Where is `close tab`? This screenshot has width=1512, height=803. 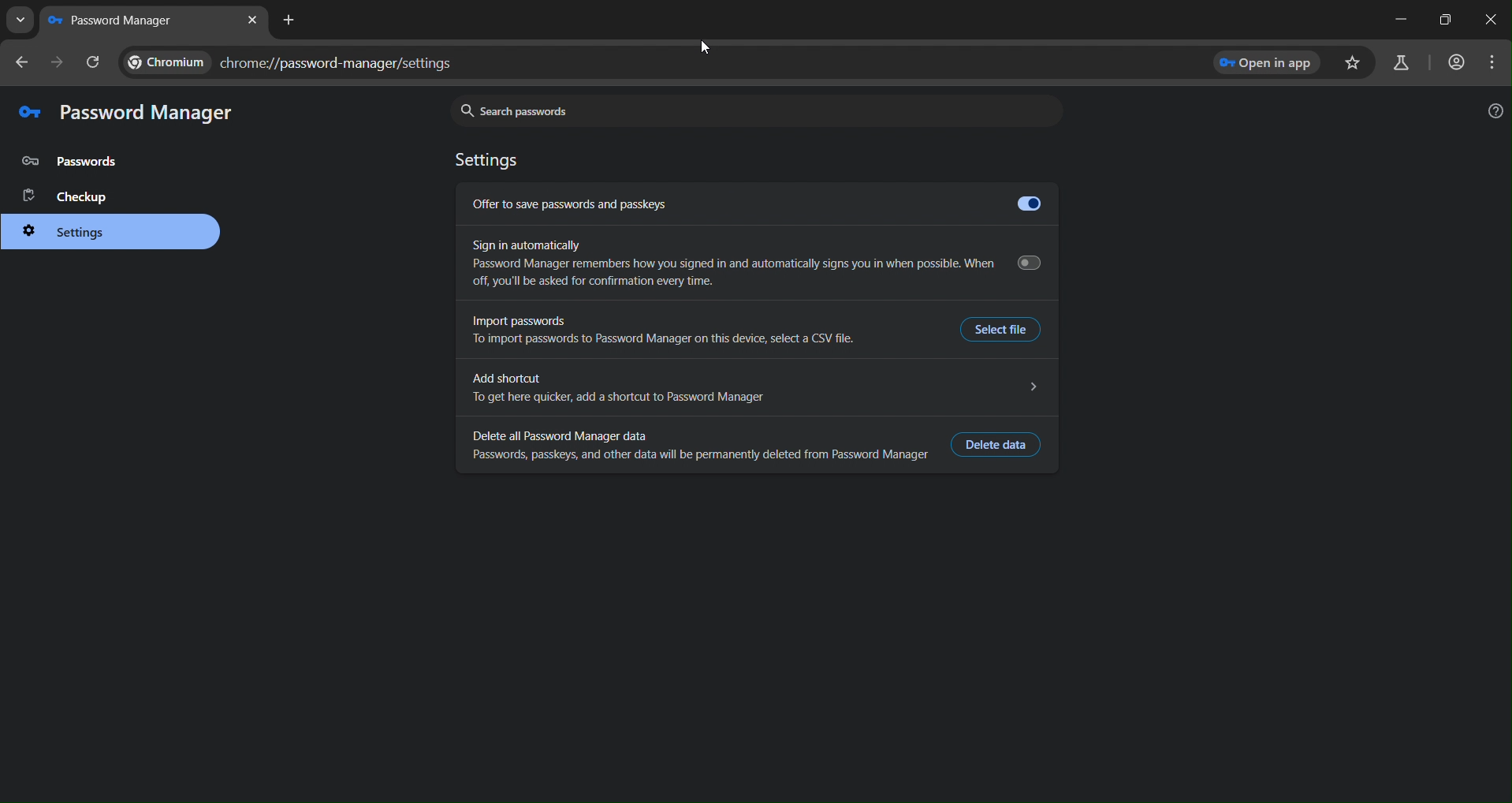 close tab is located at coordinates (254, 20).